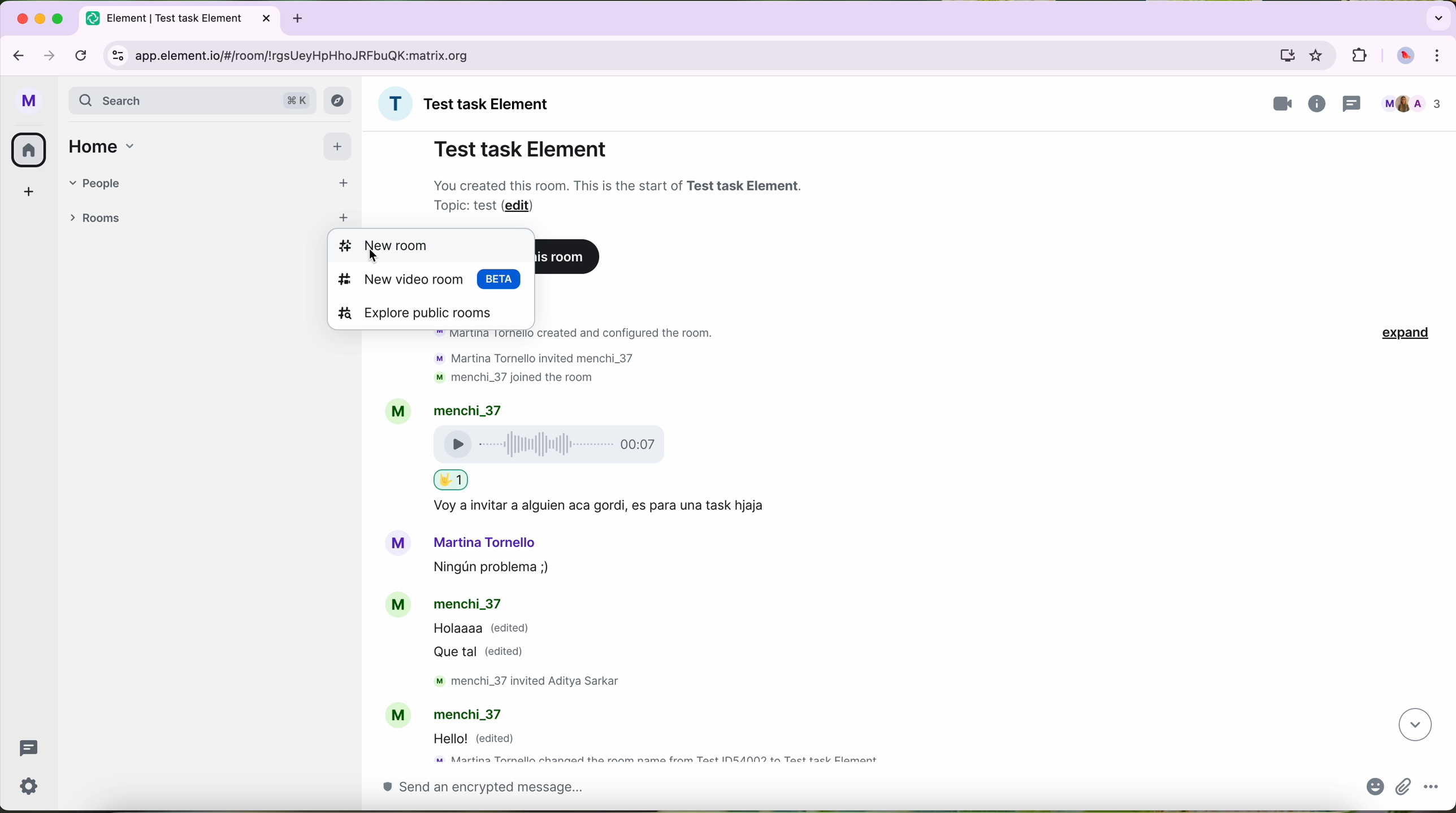 Image resolution: width=1456 pixels, height=813 pixels. Describe the element at coordinates (21, 19) in the screenshot. I see `close Google Chrome` at that location.